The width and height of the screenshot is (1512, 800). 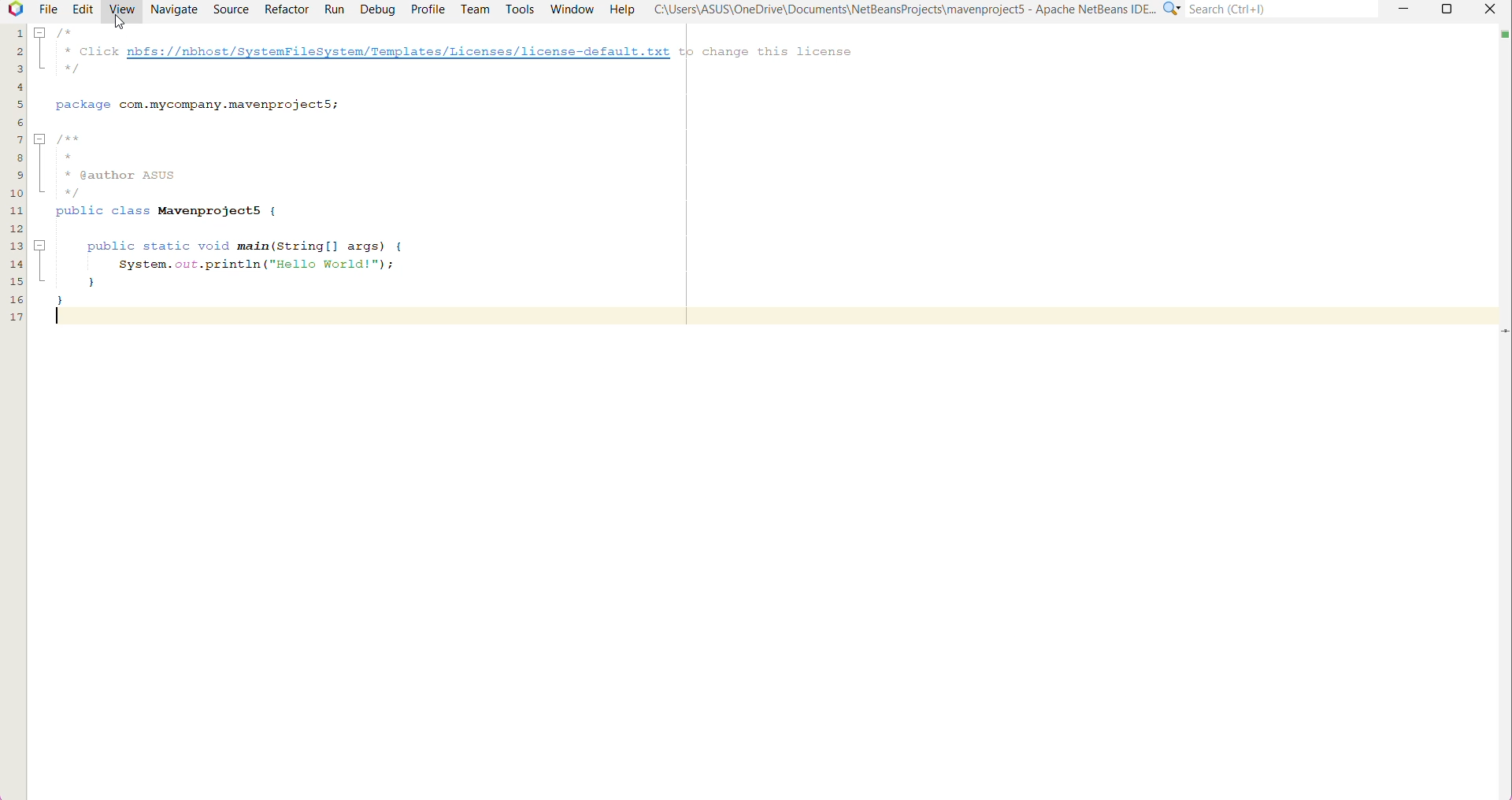 What do you see at coordinates (202, 99) in the screenshot?
I see `package com.mycompany.mavenprojectS;` at bounding box center [202, 99].